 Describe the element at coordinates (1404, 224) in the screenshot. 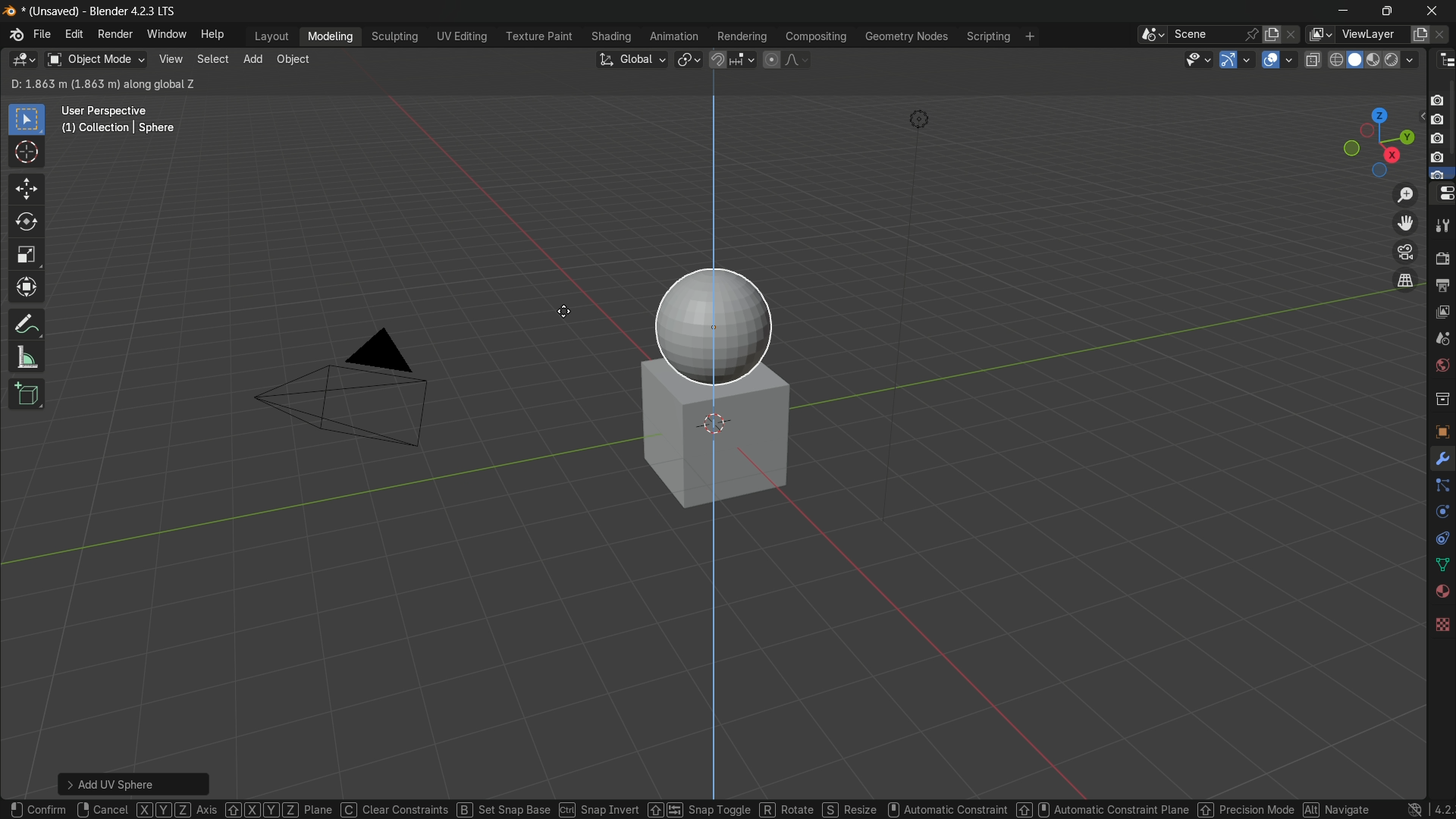

I see `move the view` at that location.